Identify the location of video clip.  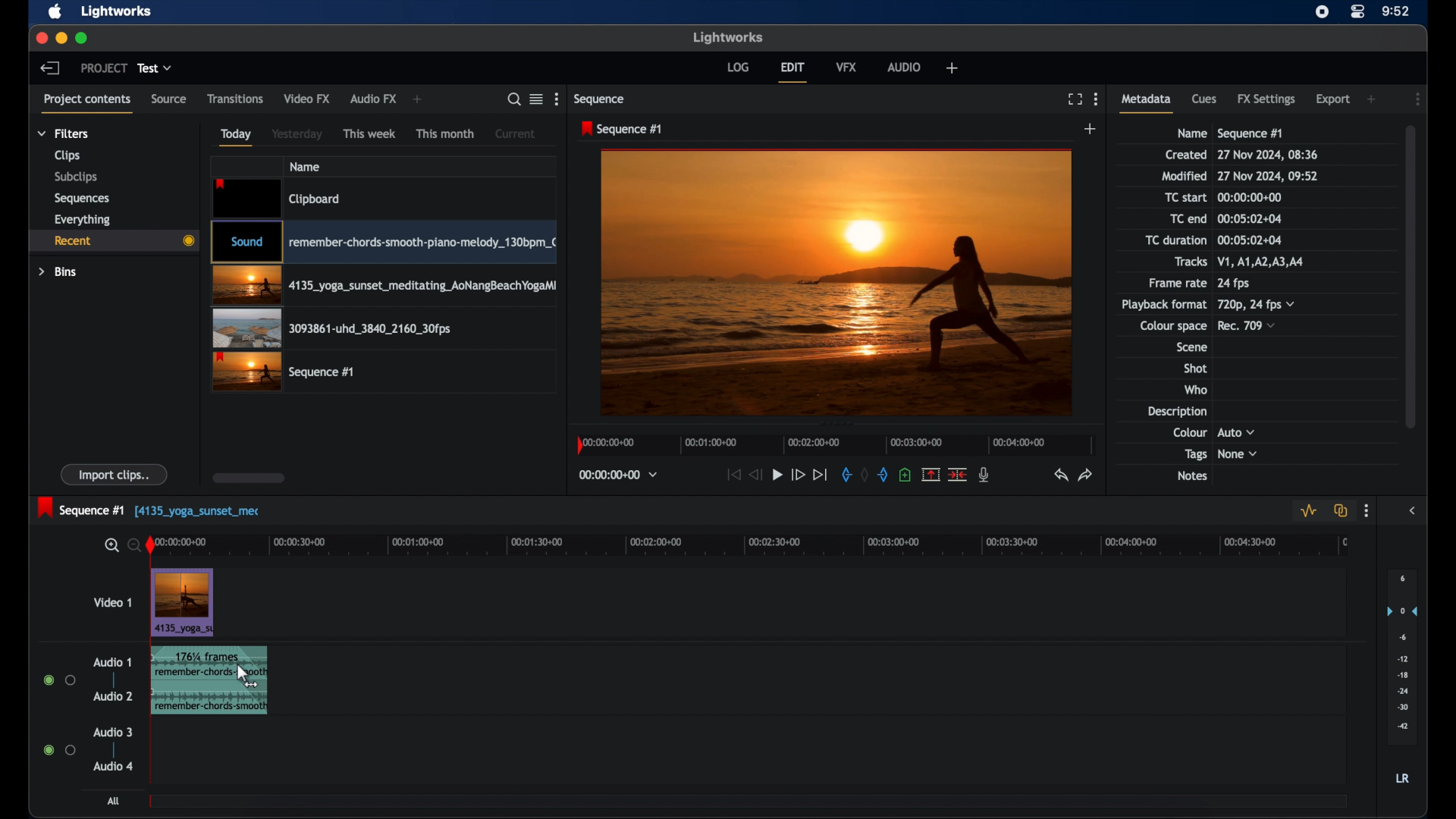
(183, 604).